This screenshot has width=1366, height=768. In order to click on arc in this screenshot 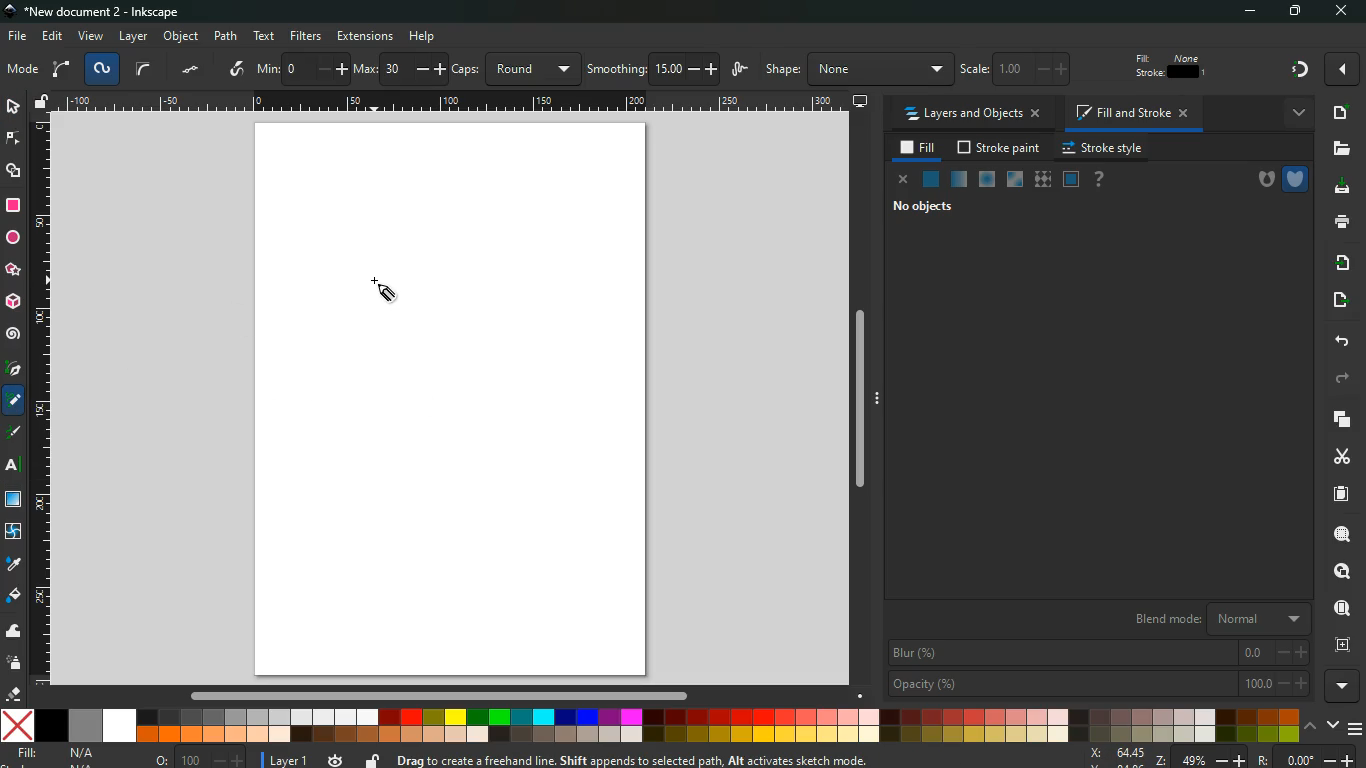, I will do `click(61, 70)`.